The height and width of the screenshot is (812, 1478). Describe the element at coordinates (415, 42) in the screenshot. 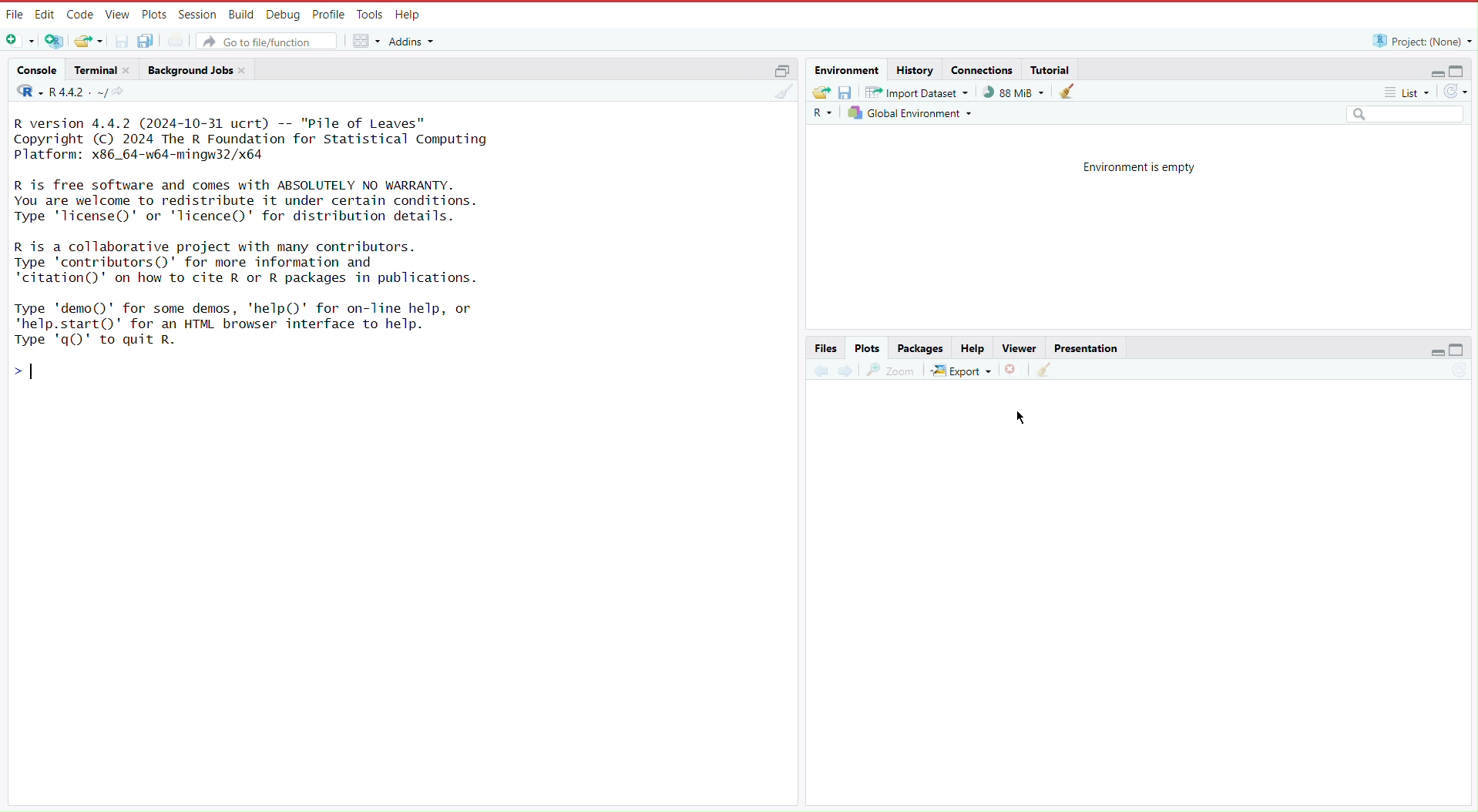

I see `Addins` at that location.